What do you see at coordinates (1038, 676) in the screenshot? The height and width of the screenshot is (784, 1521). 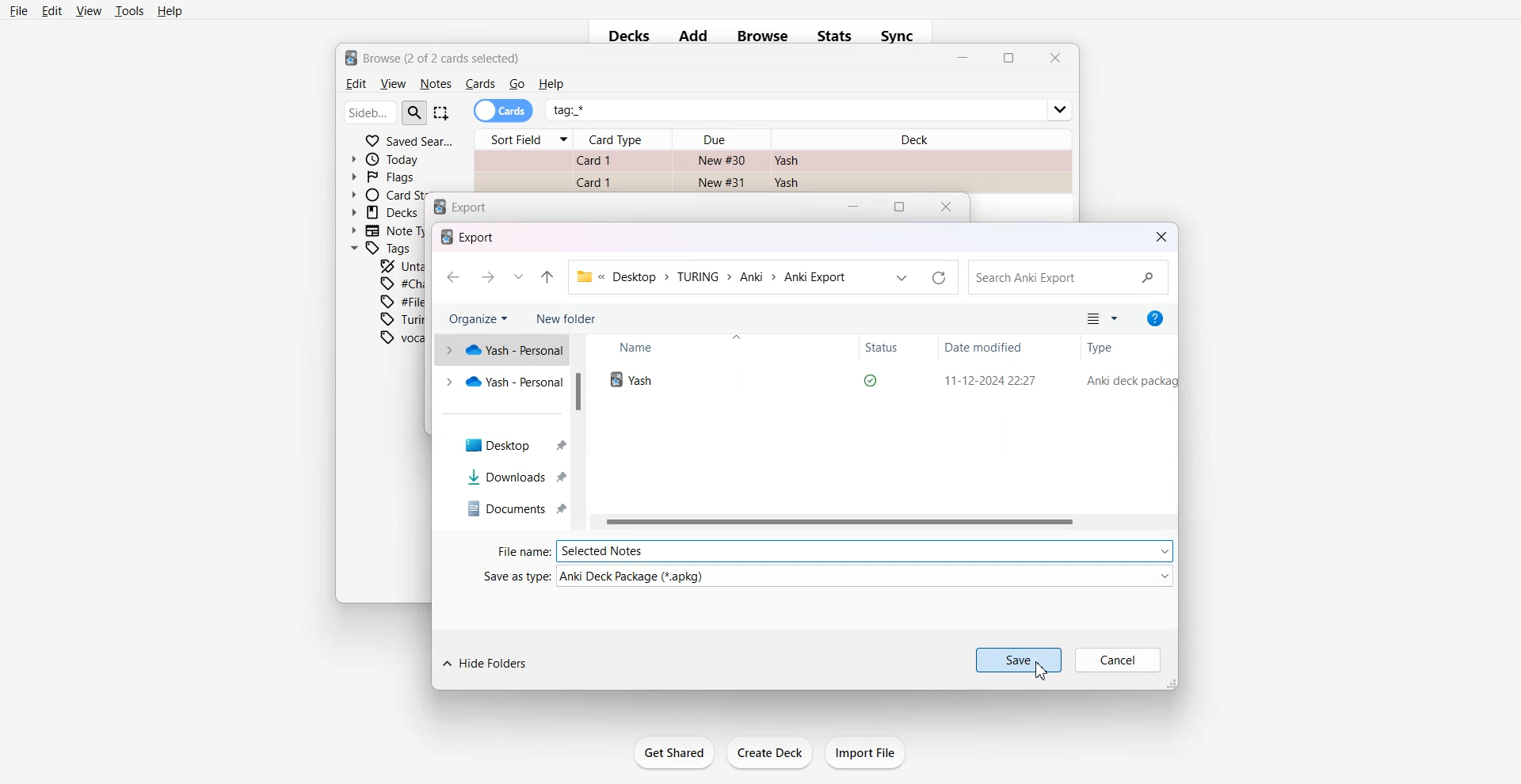 I see `cursor` at bounding box center [1038, 676].